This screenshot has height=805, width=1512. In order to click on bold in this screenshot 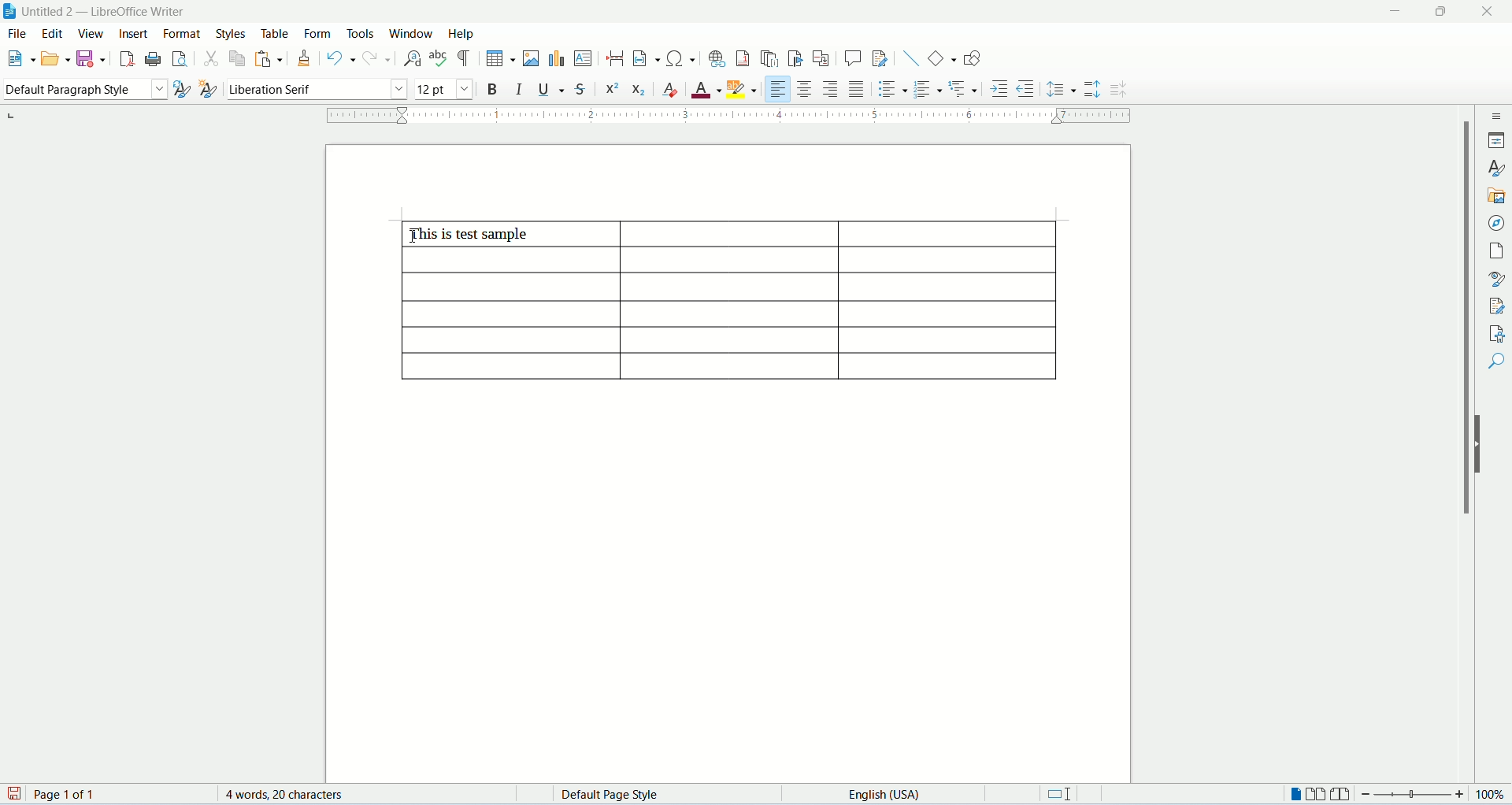, I will do `click(495, 90)`.